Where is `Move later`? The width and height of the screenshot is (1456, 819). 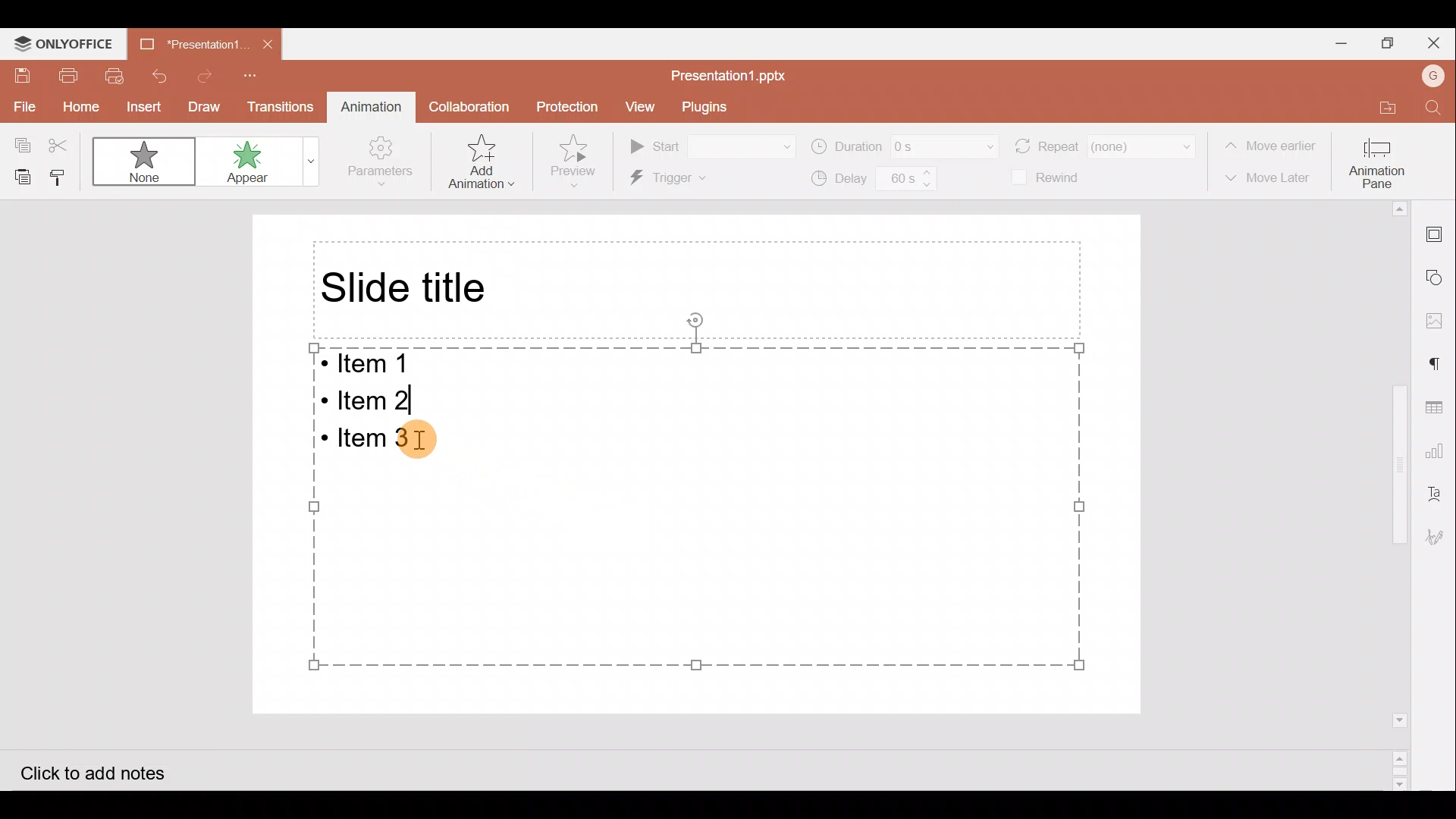 Move later is located at coordinates (1269, 179).